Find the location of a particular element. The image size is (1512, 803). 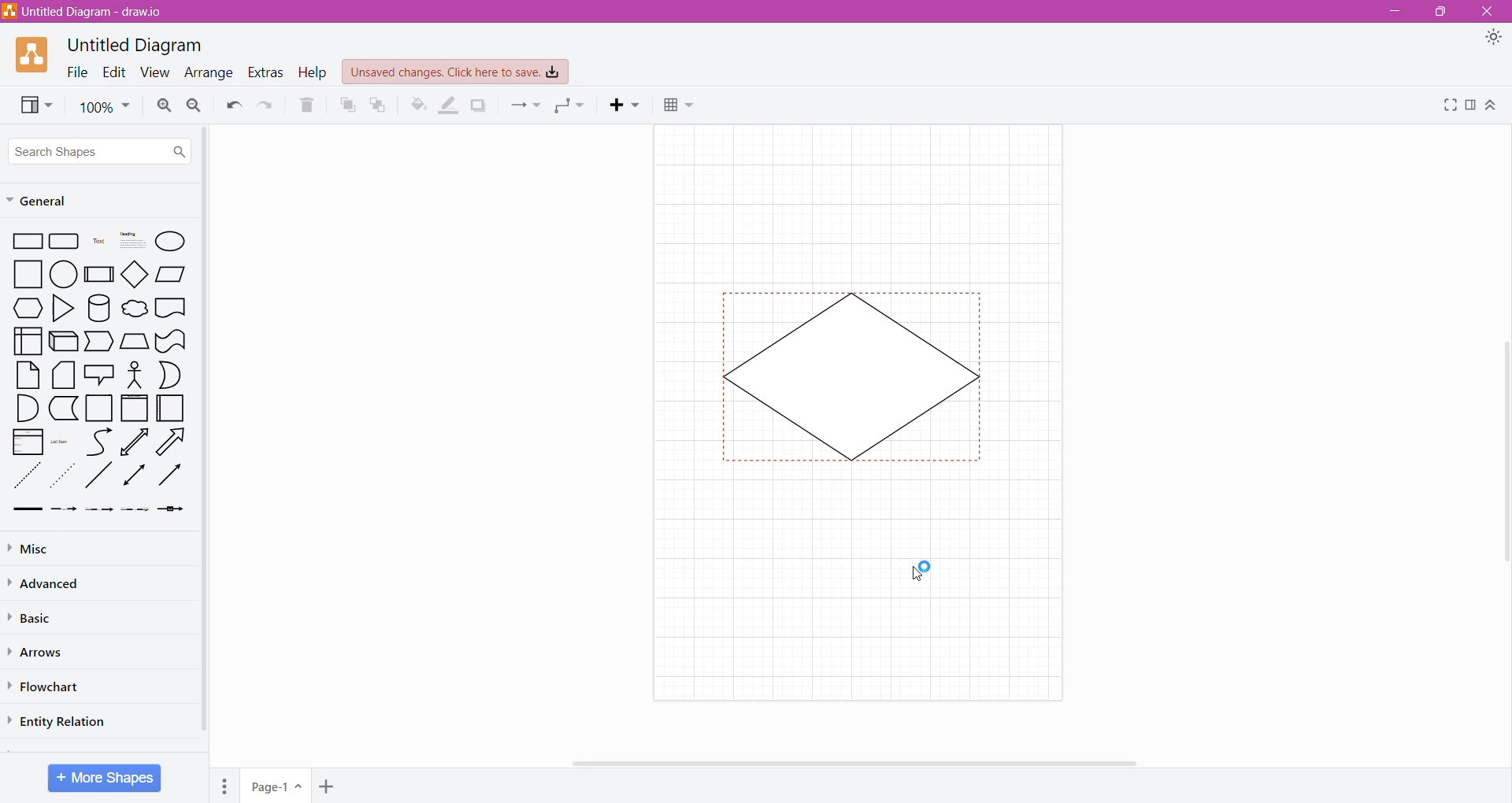

Application Name is located at coordinates (85, 13).